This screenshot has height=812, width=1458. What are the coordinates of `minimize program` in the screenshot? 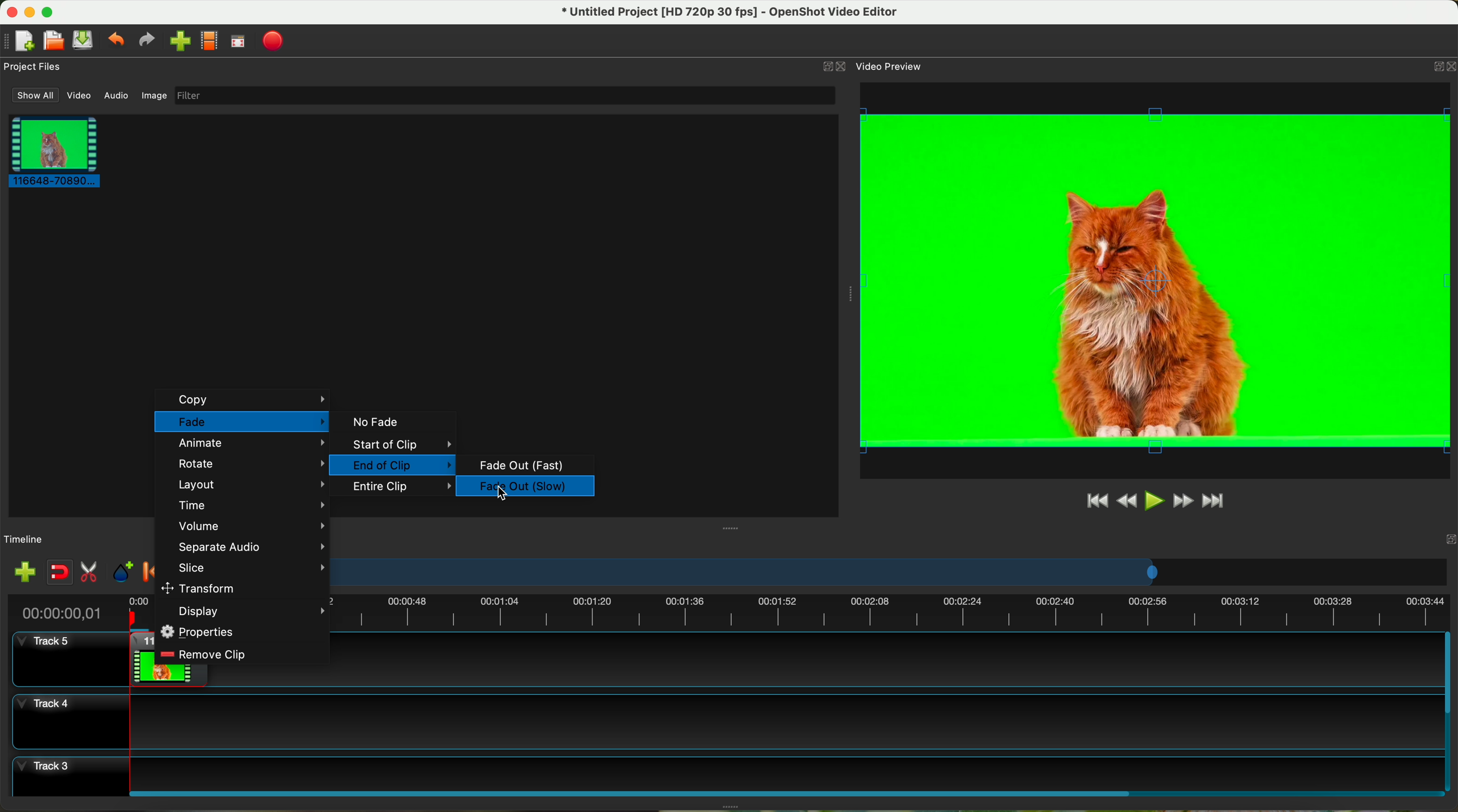 It's located at (31, 12).